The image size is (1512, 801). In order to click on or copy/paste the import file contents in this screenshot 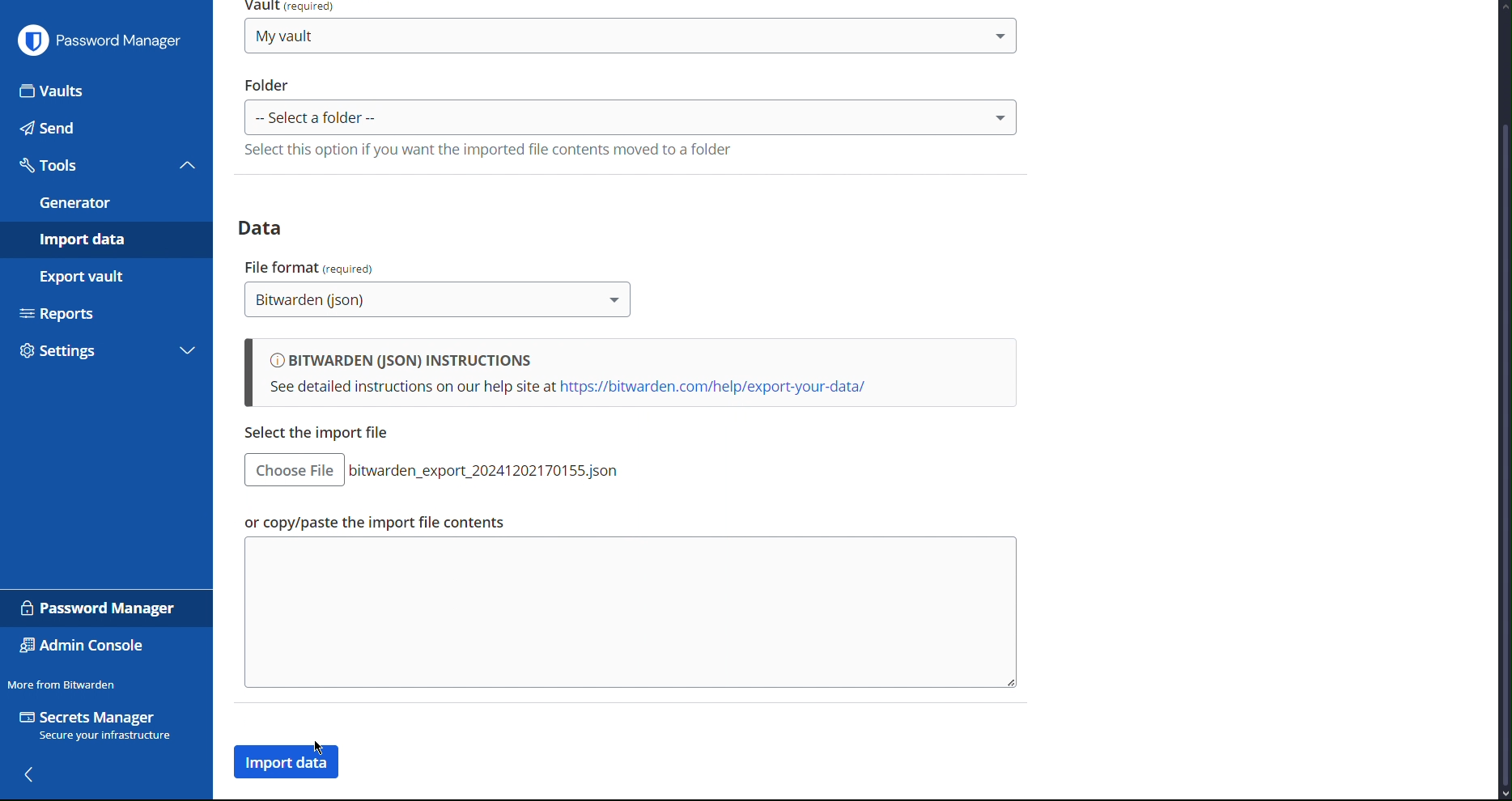, I will do `click(372, 523)`.